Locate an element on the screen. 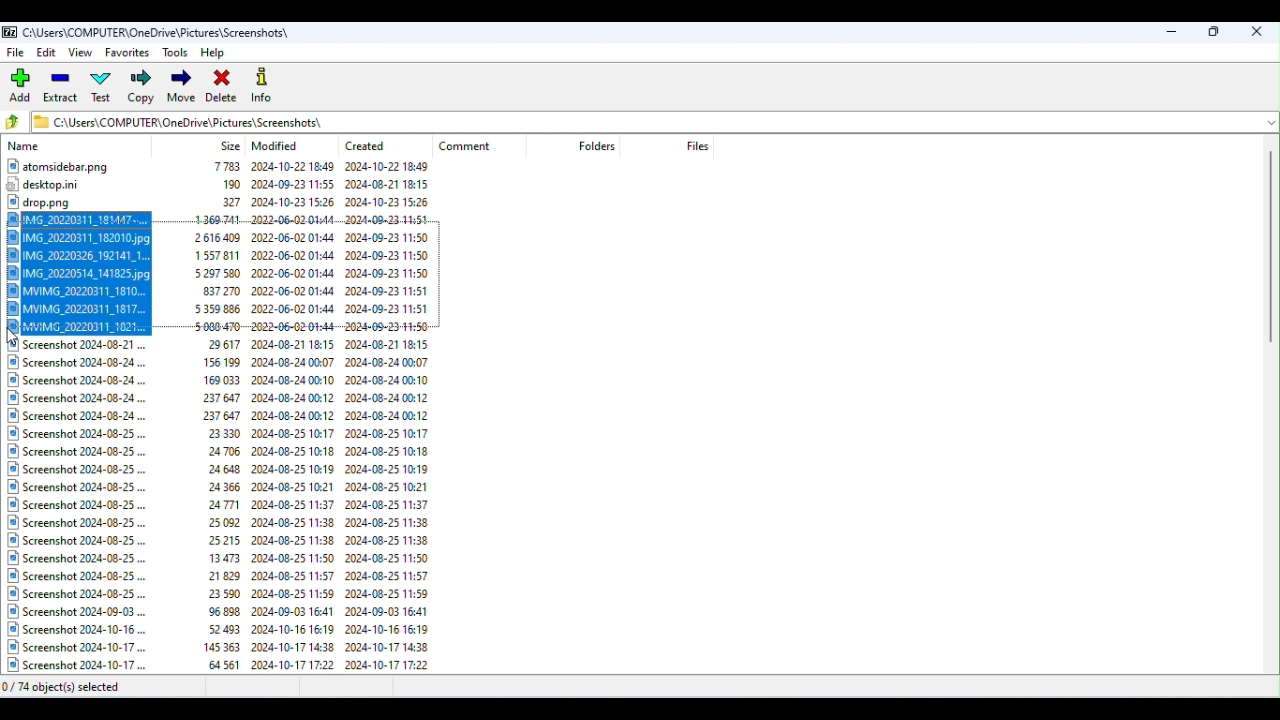 The image size is (1280, 720). Name is located at coordinates (27, 147).